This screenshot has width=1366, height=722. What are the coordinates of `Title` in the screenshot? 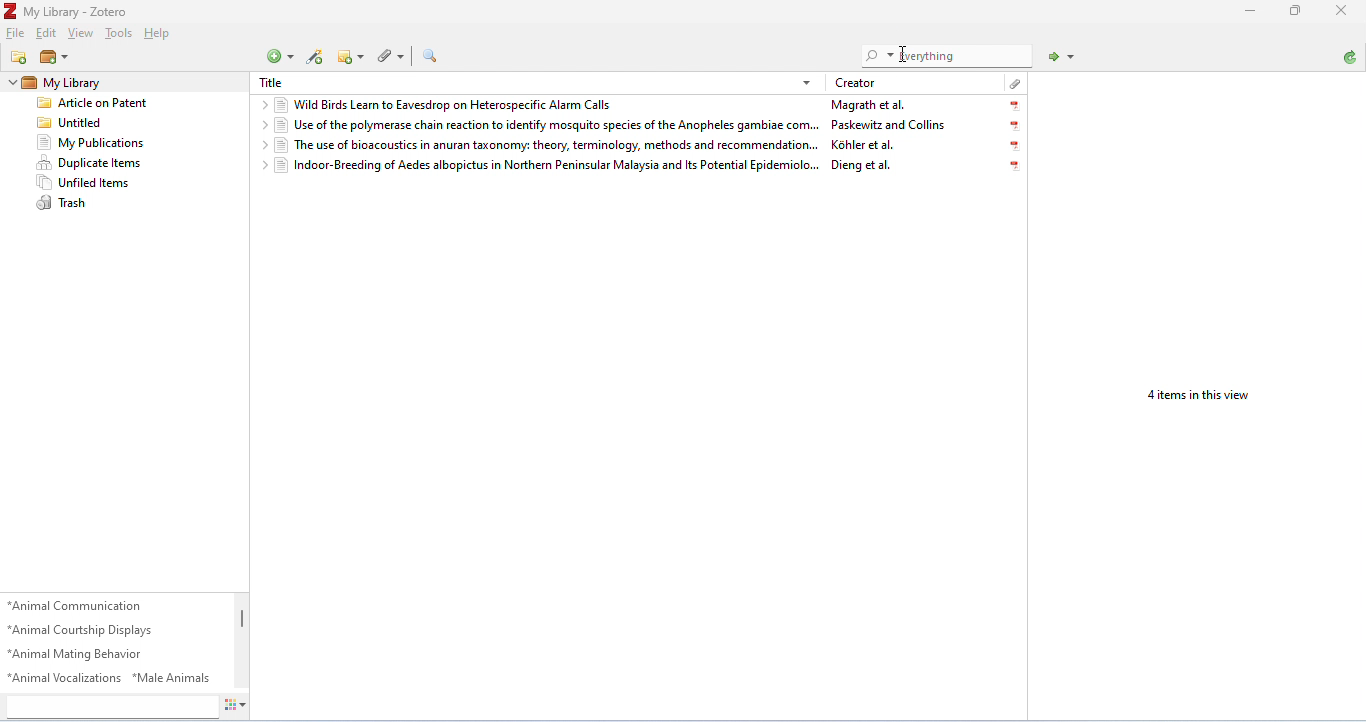 It's located at (271, 83).